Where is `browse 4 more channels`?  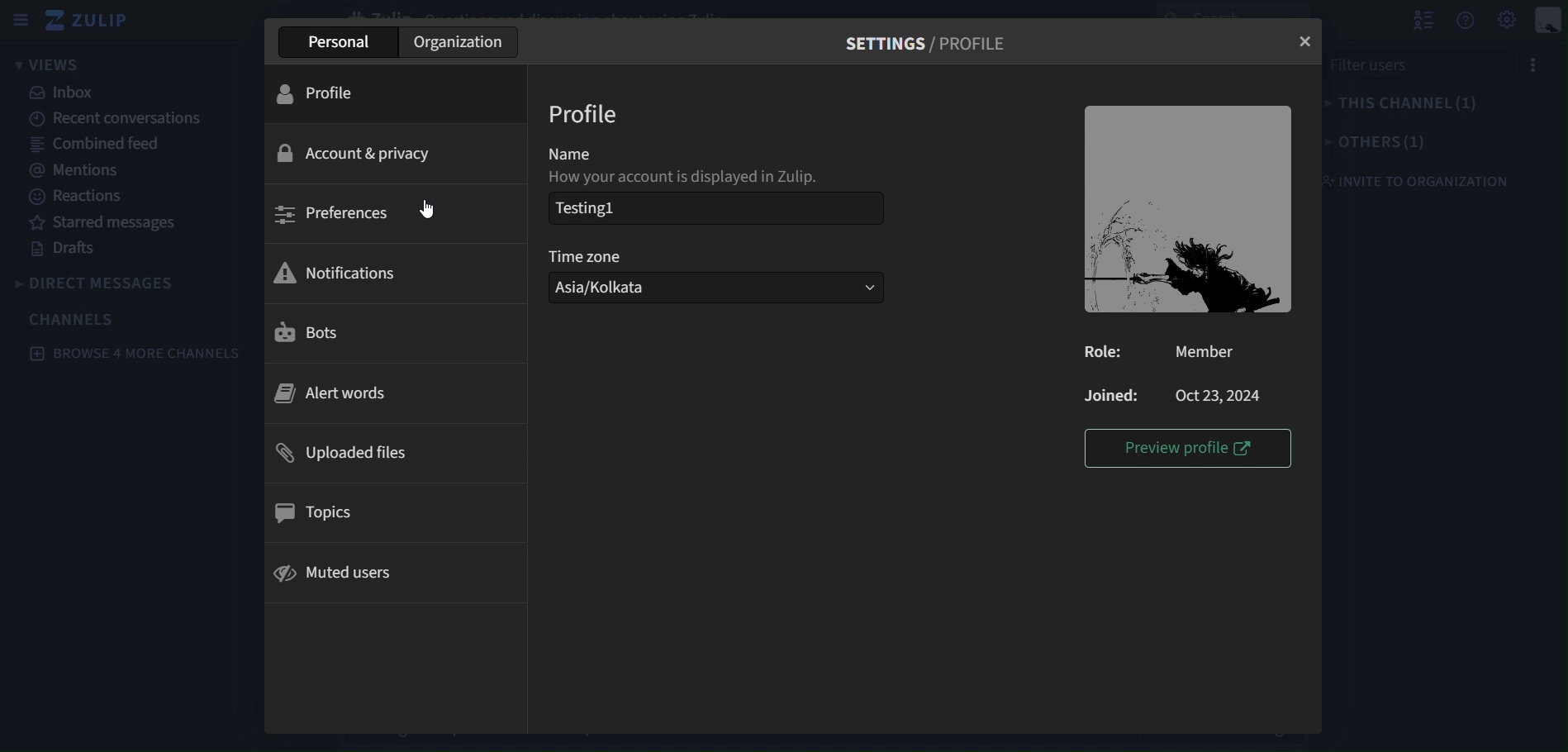
browse 4 more channels is located at coordinates (131, 354).